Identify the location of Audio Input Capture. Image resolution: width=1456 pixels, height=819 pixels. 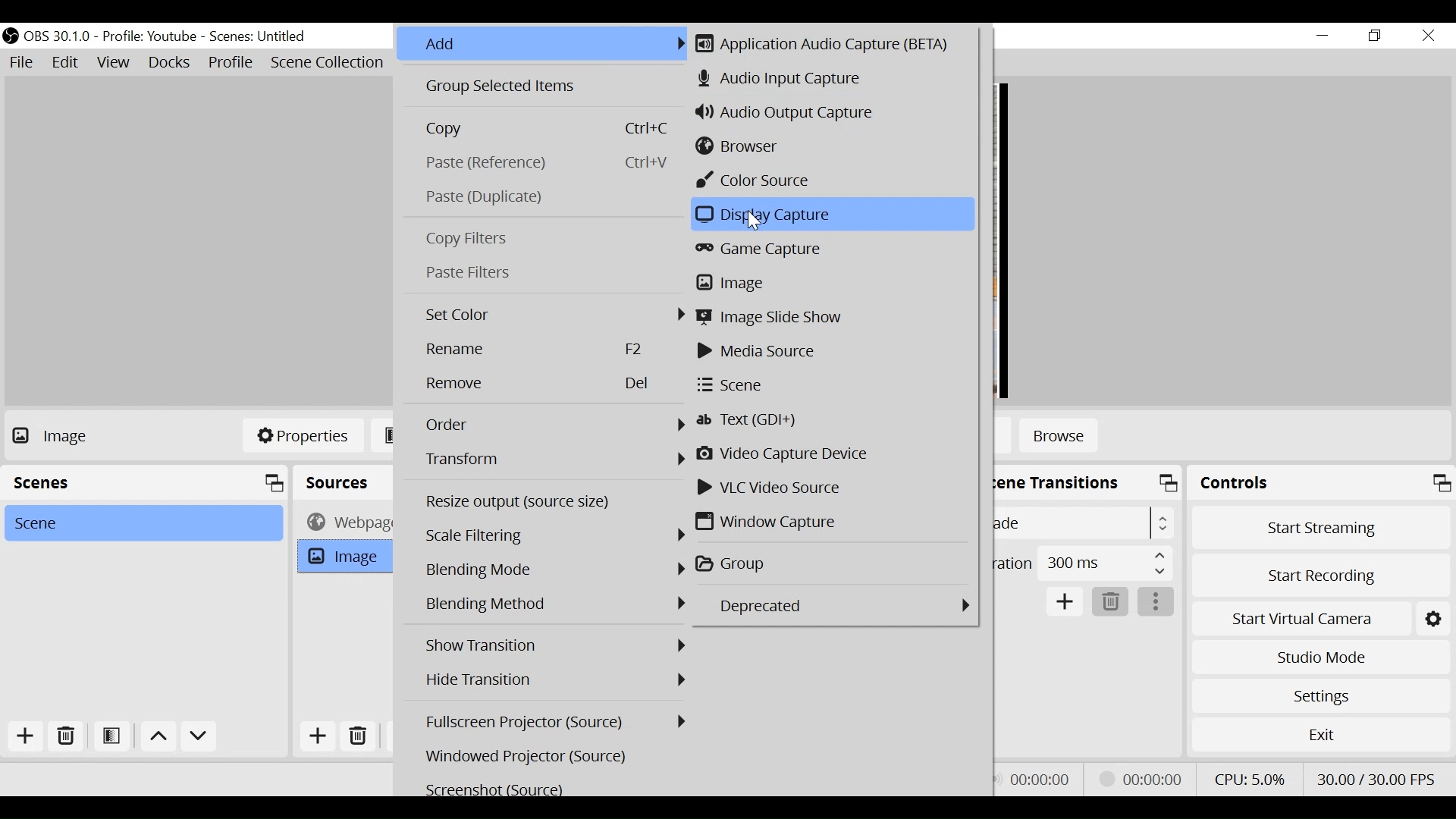
(830, 80).